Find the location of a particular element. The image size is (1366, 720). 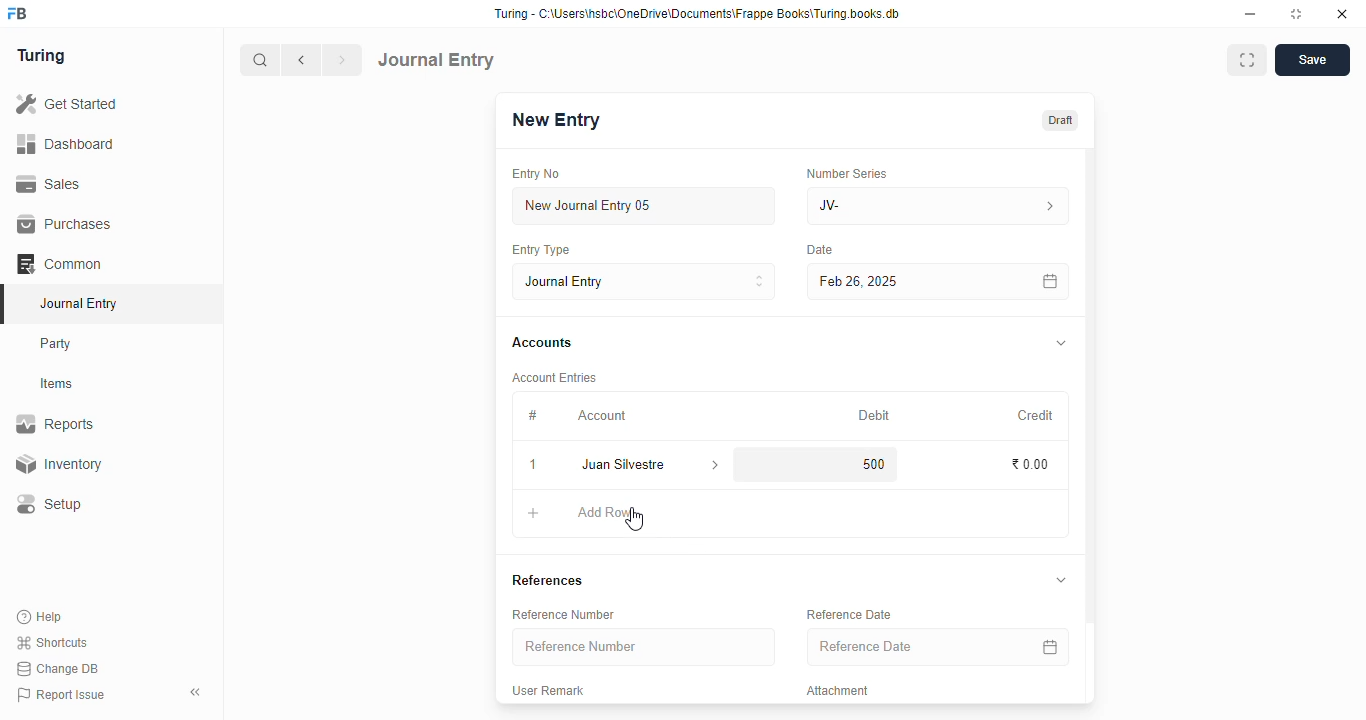

toggle between form and full width is located at coordinates (1246, 60).